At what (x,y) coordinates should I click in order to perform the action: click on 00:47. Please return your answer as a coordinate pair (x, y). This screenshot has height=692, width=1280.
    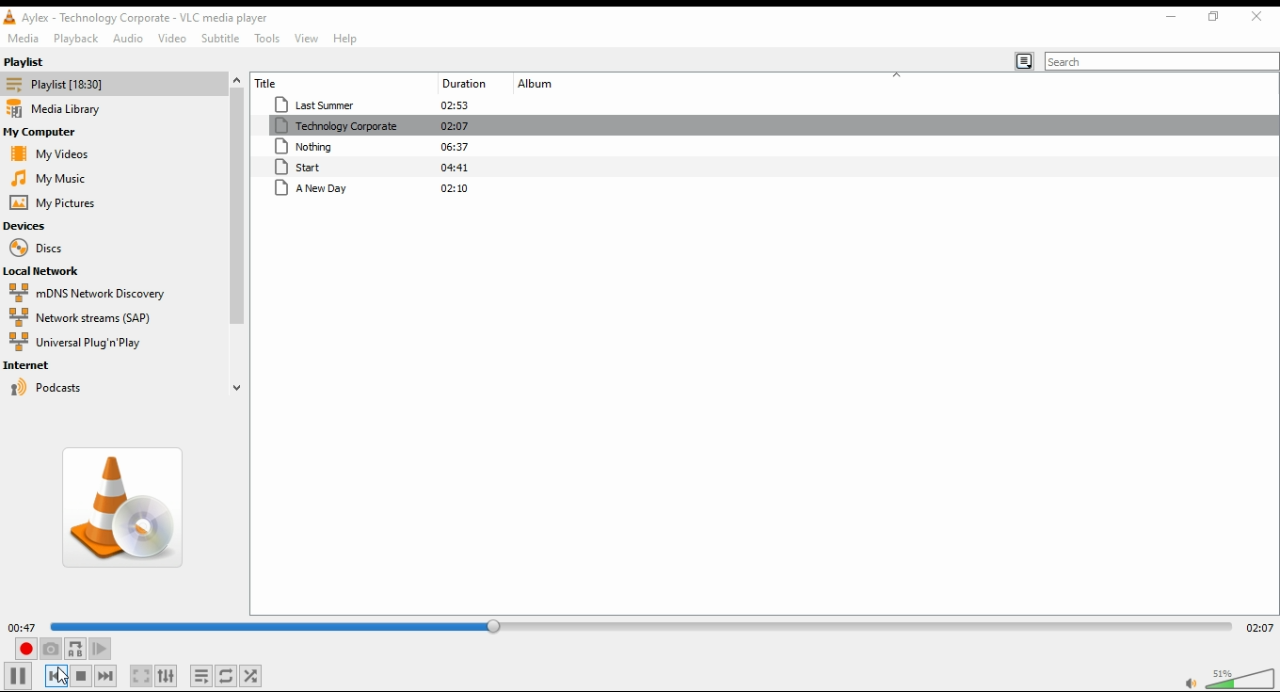
    Looking at the image, I should click on (22, 627).